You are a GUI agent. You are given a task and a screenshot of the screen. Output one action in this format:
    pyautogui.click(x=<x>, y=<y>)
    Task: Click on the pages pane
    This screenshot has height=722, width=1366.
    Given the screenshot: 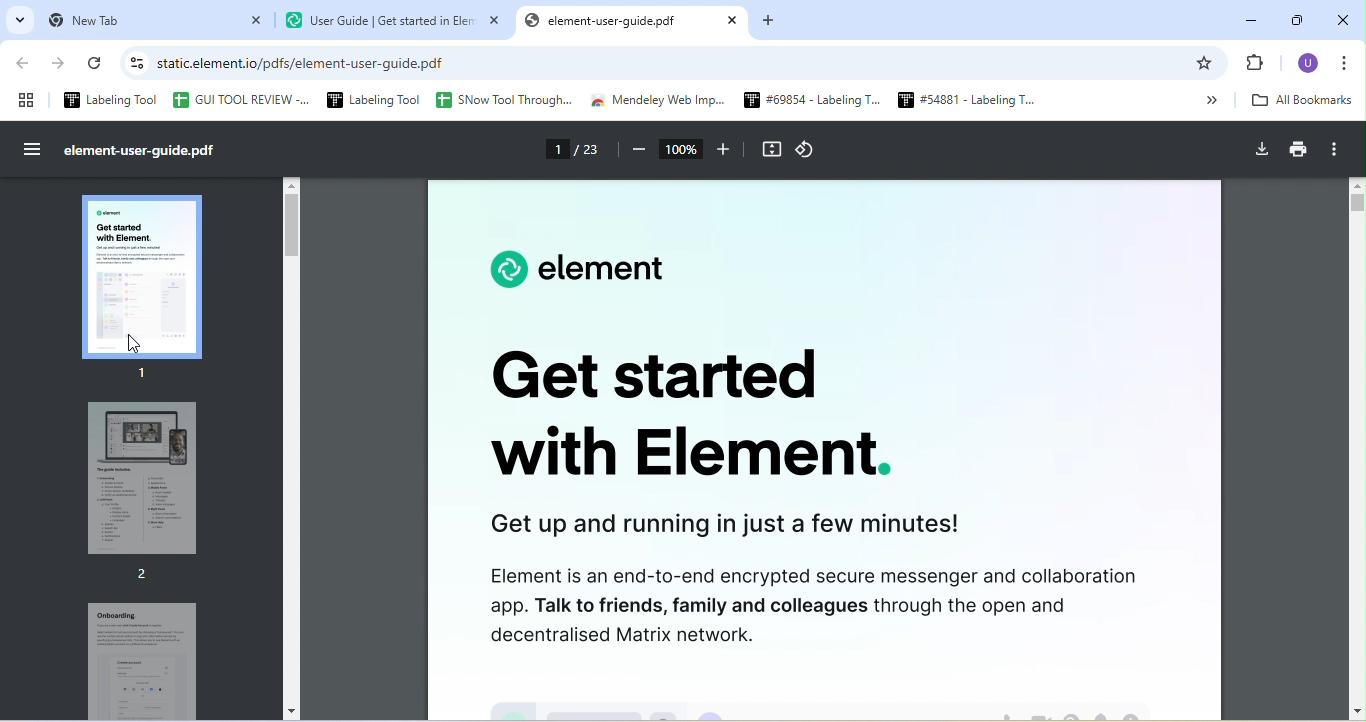 What is the action you would take?
    pyautogui.click(x=151, y=281)
    